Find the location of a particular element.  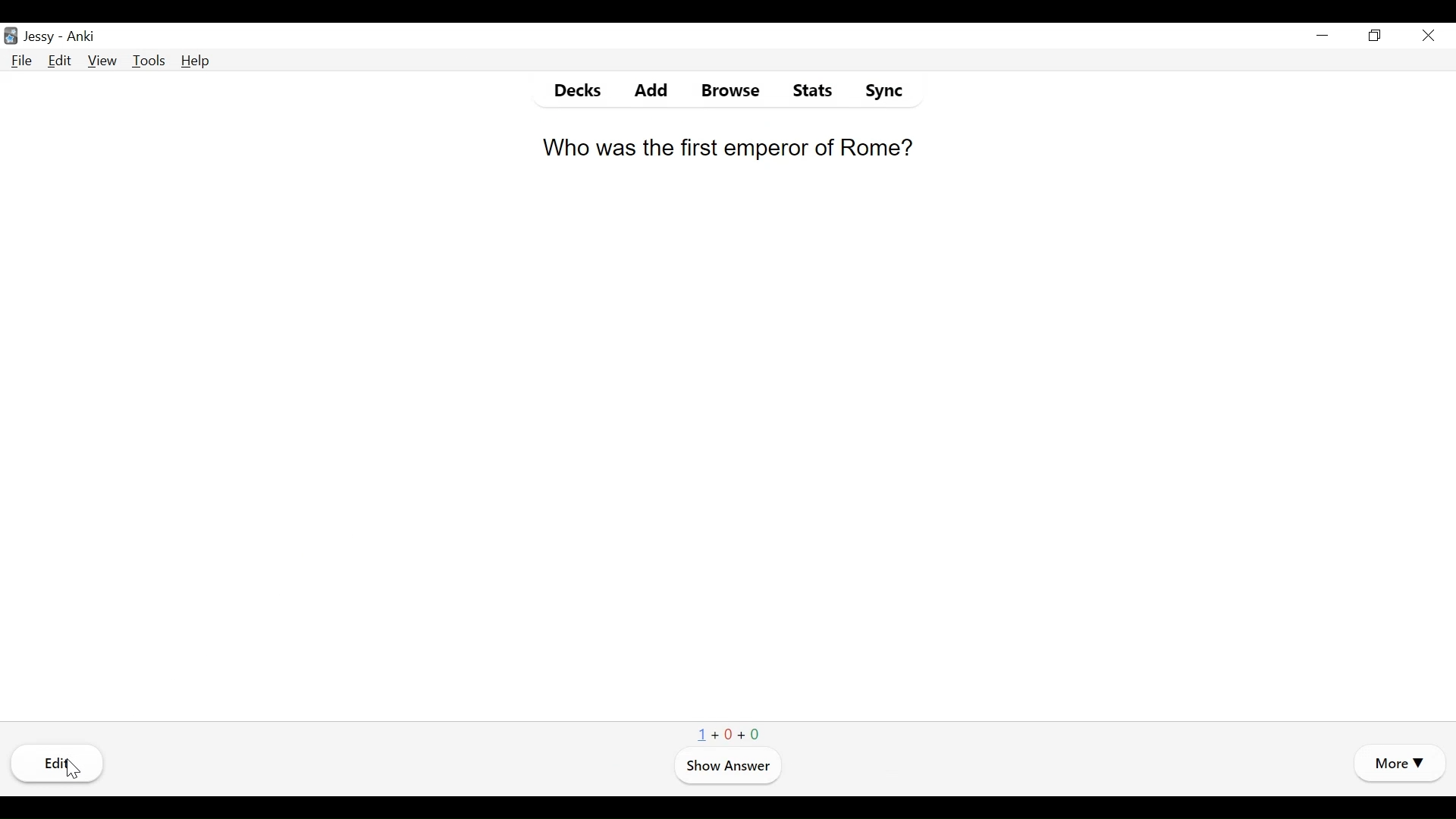

Restore is located at coordinates (1376, 36).